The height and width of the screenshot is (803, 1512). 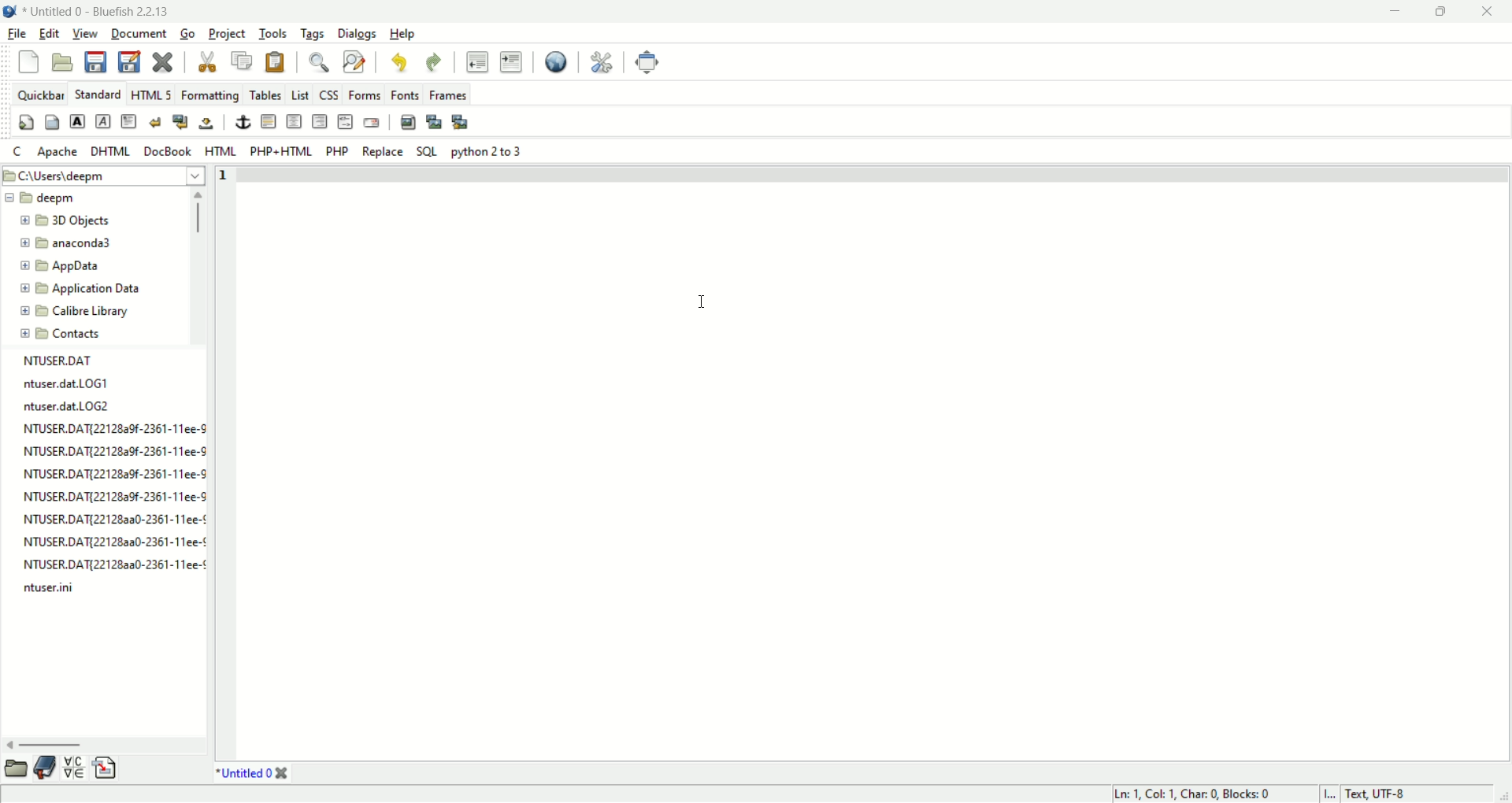 I want to click on LIST, so click(x=298, y=94).